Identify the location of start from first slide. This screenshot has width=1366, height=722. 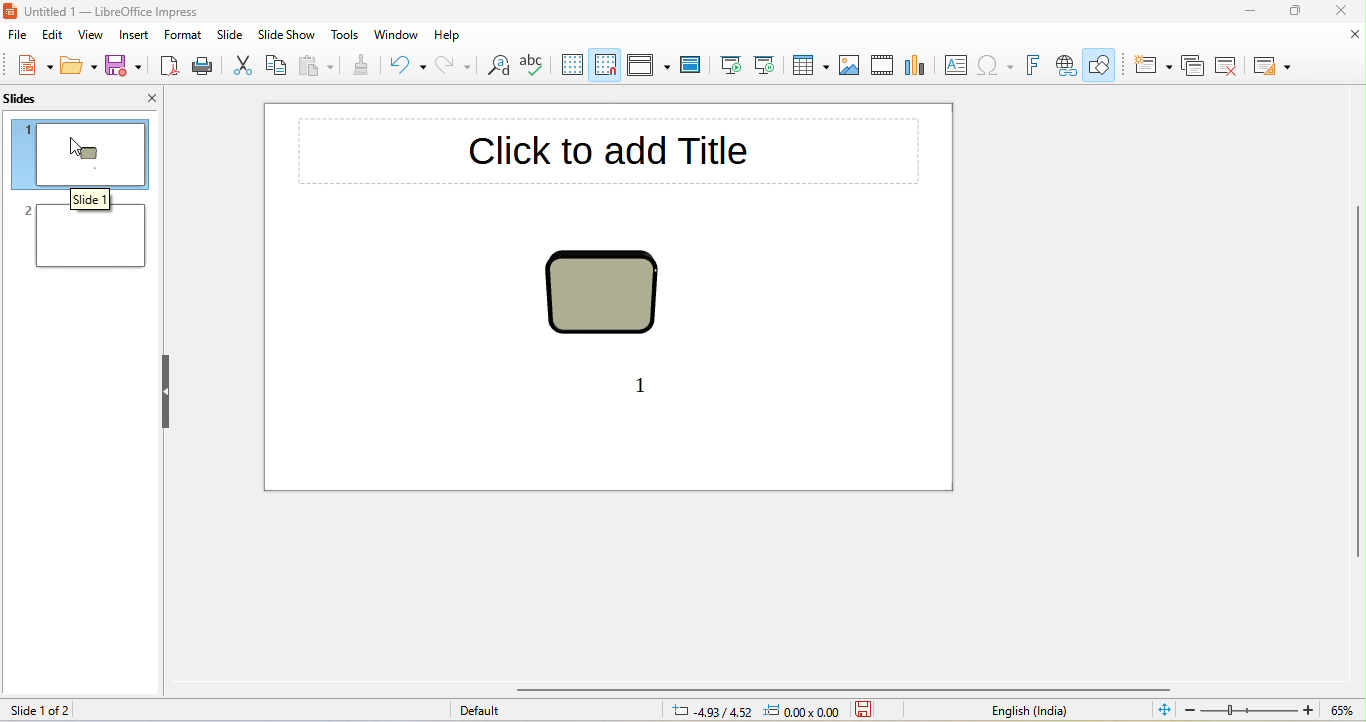
(733, 65).